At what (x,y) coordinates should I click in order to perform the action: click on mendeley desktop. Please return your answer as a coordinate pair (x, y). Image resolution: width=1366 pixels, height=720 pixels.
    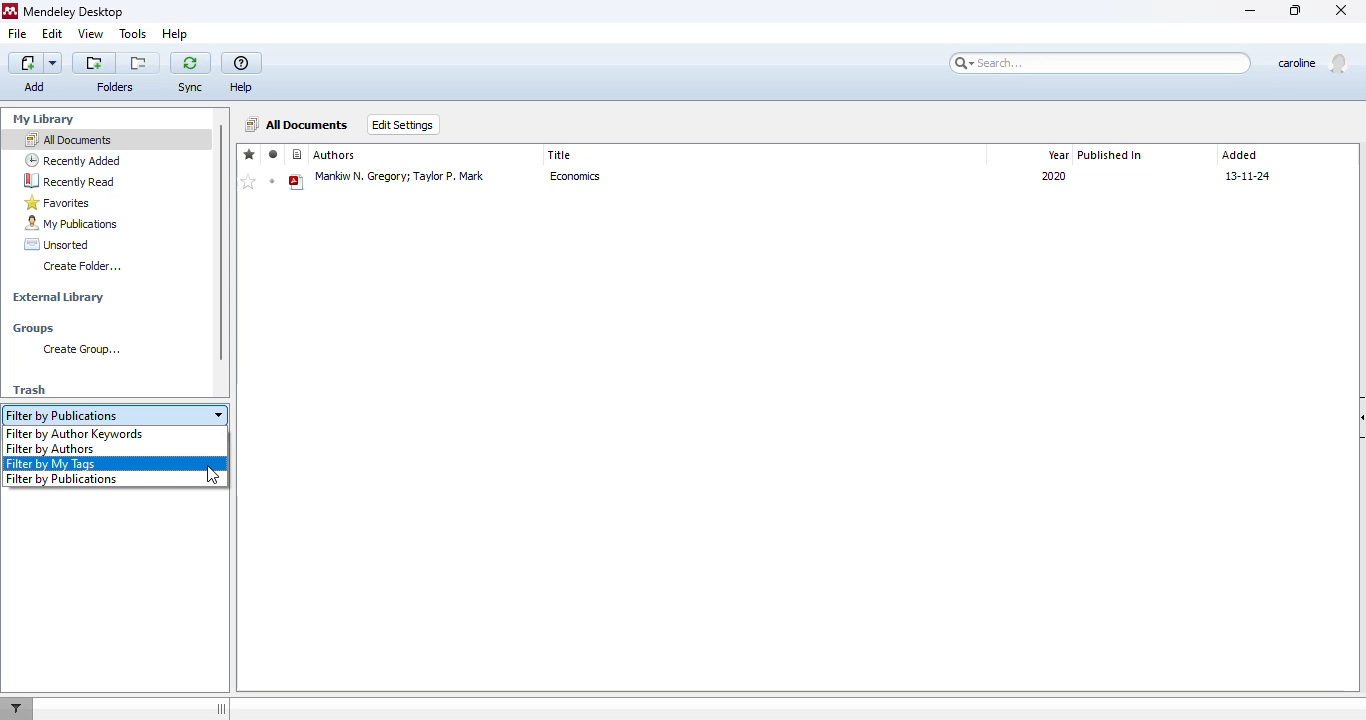
    Looking at the image, I should click on (73, 11).